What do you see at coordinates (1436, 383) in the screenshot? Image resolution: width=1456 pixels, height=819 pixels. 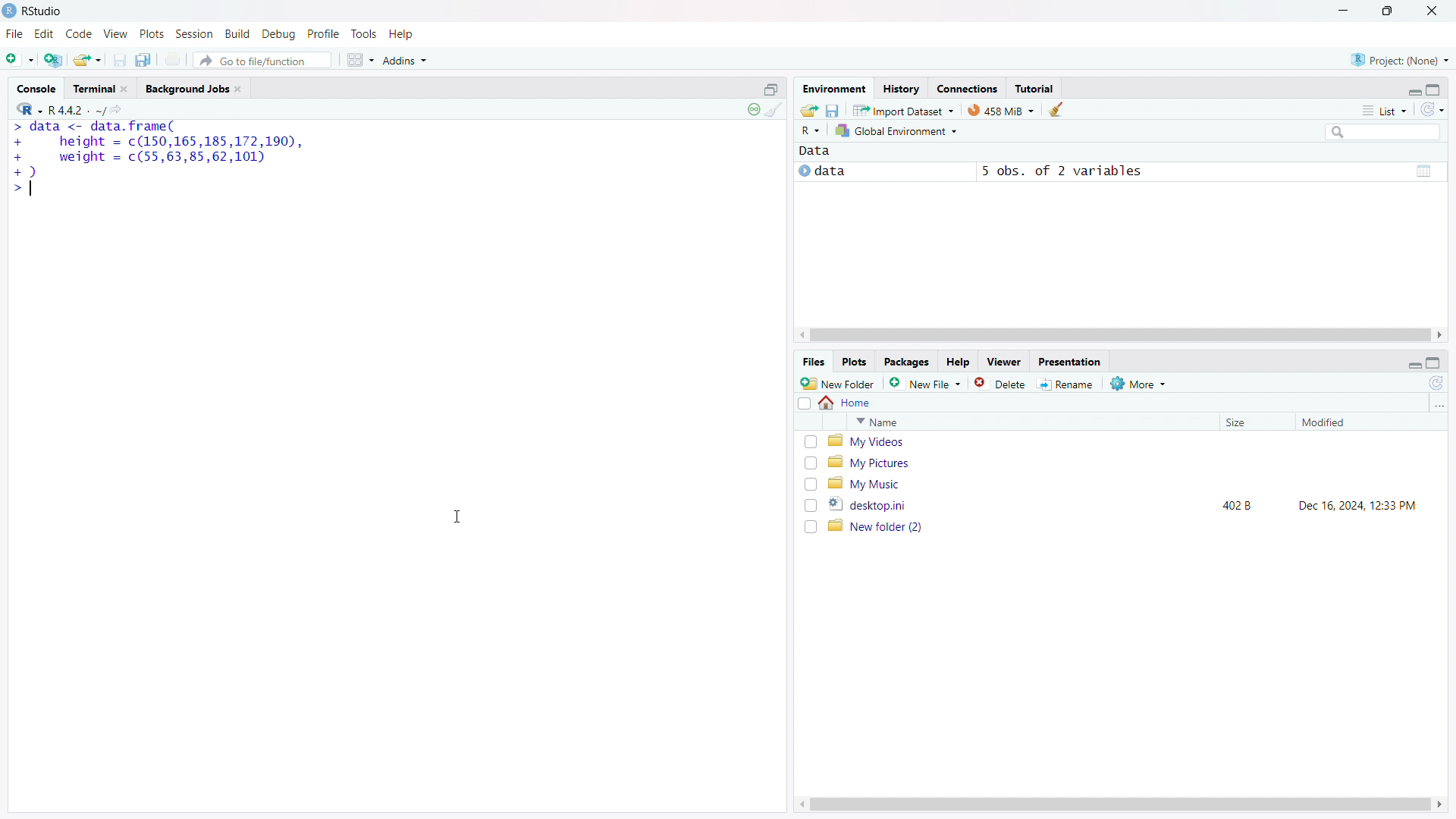 I see `refresh` at bounding box center [1436, 383].